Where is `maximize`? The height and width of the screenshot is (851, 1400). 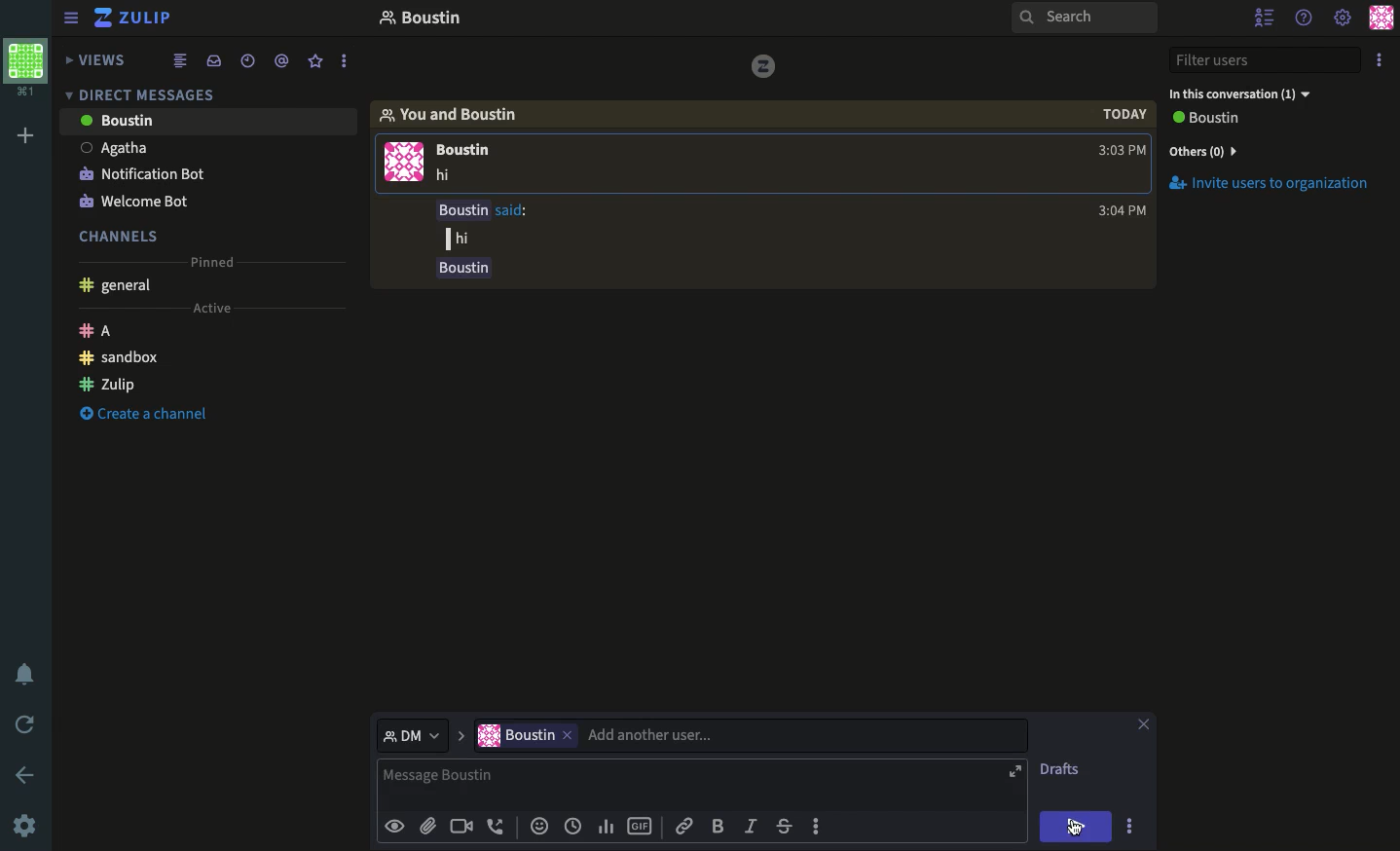
maximize is located at coordinates (1017, 769).